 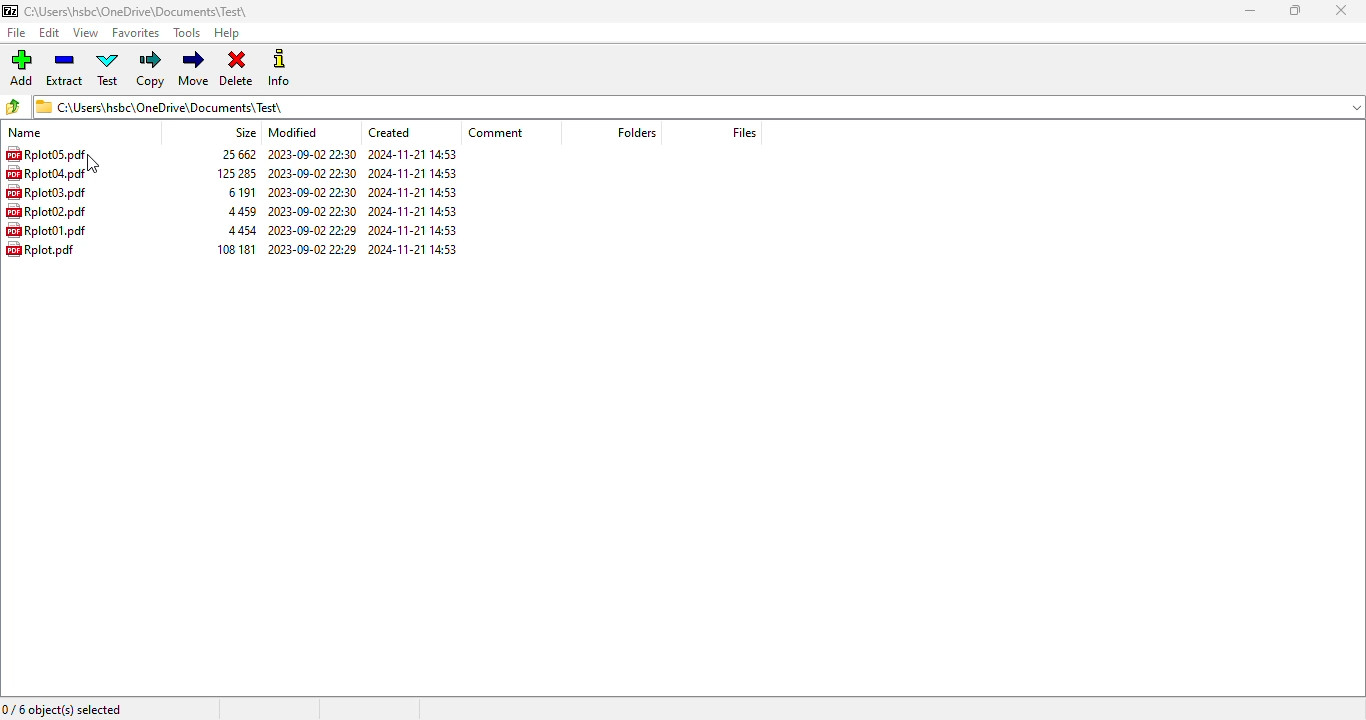 What do you see at coordinates (41, 249) in the screenshot?
I see `rplot` at bounding box center [41, 249].